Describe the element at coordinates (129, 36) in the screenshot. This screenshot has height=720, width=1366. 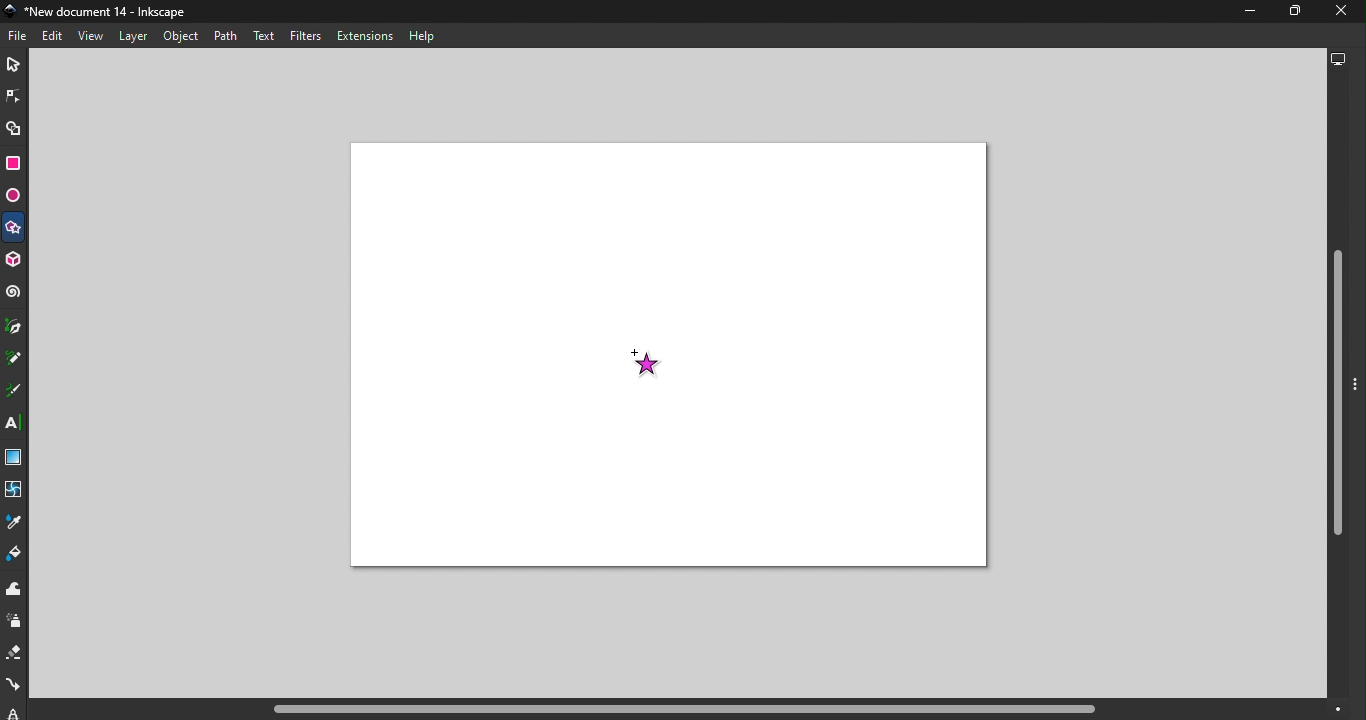
I see `Layer` at that location.